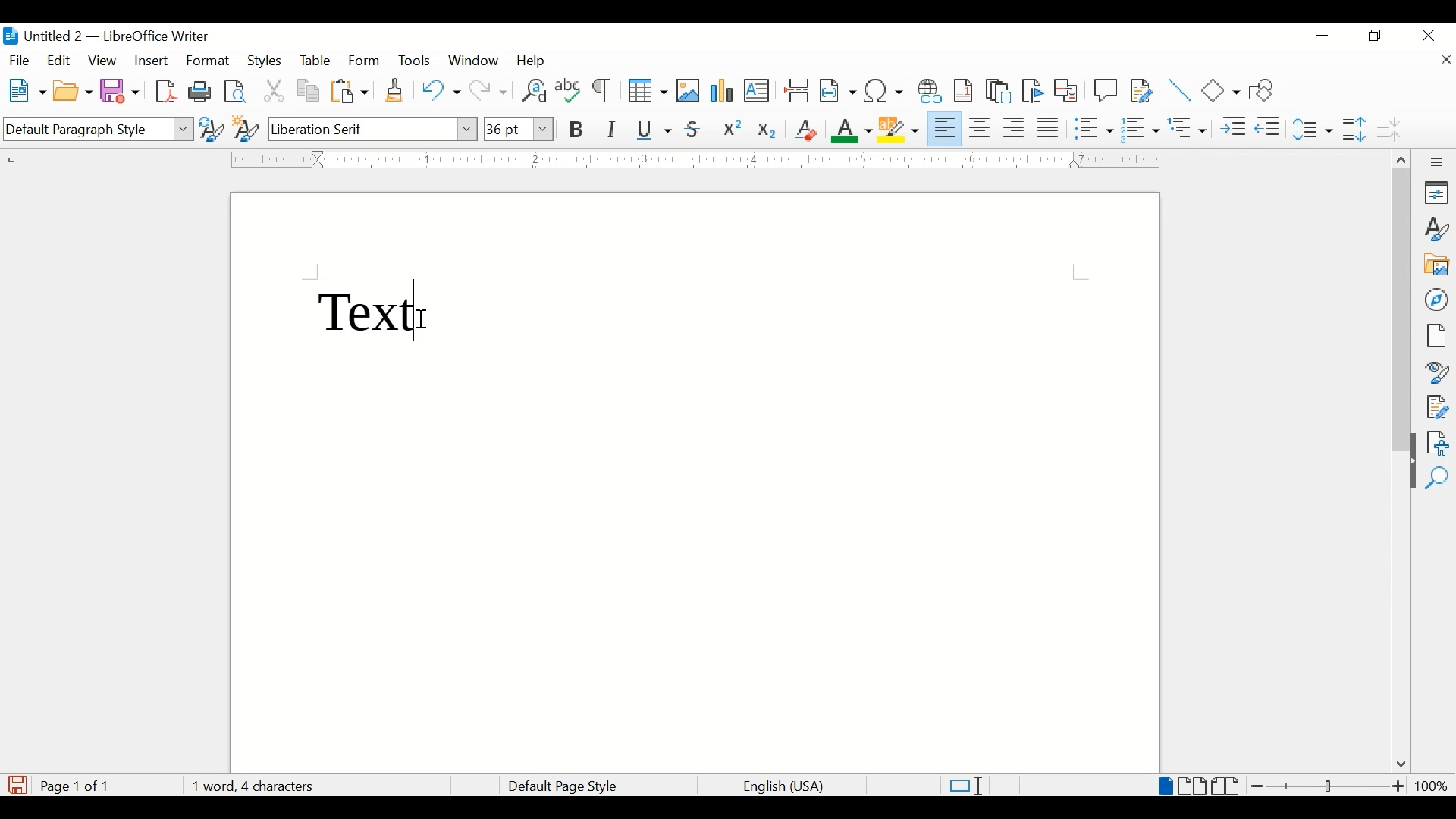 Image resolution: width=1456 pixels, height=819 pixels. Describe the element at coordinates (168, 92) in the screenshot. I see `export directly as pdf` at that location.